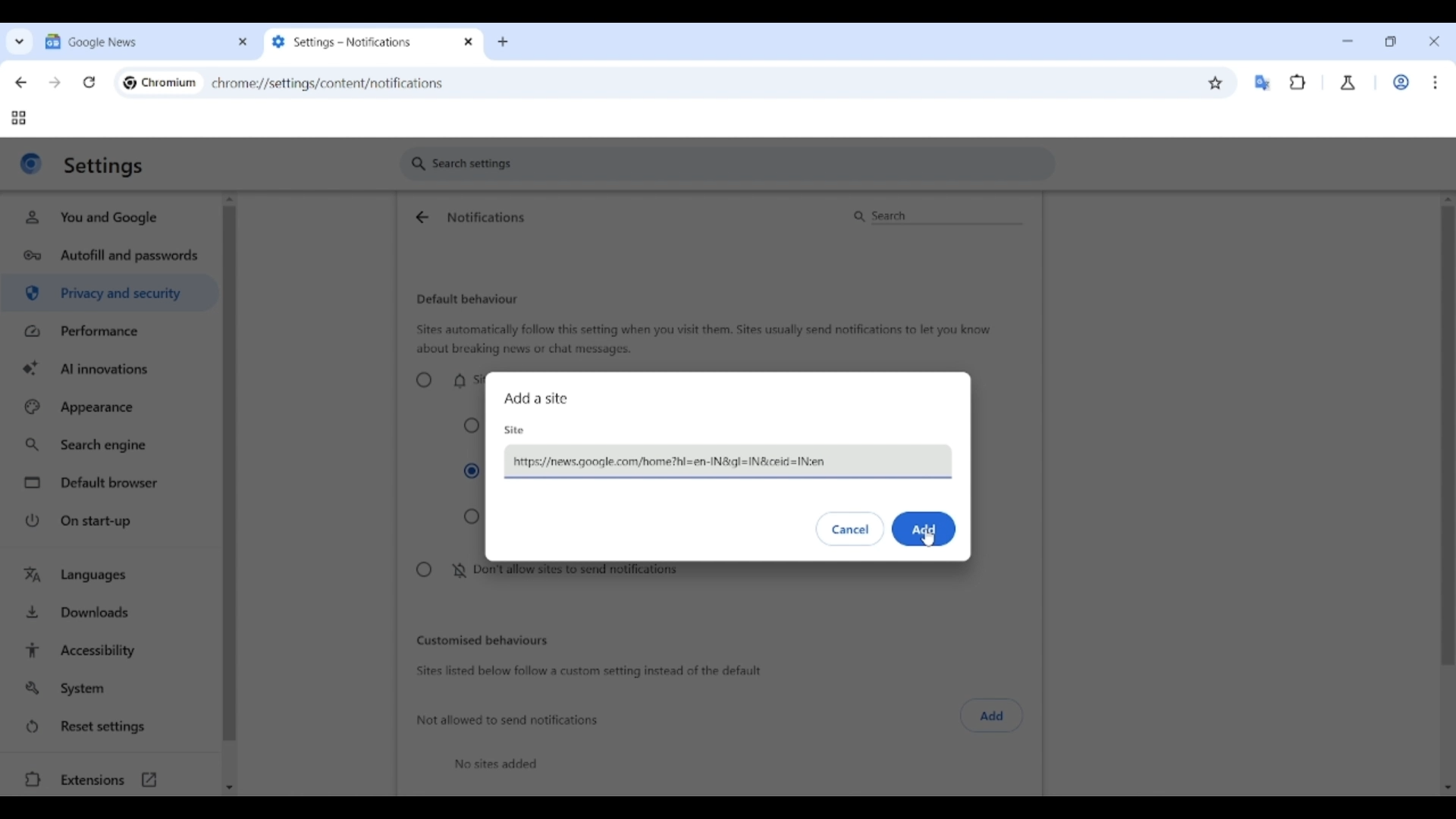  What do you see at coordinates (112, 483) in the screenshot?
I see `Default browser` at bounding box center [112, 483].